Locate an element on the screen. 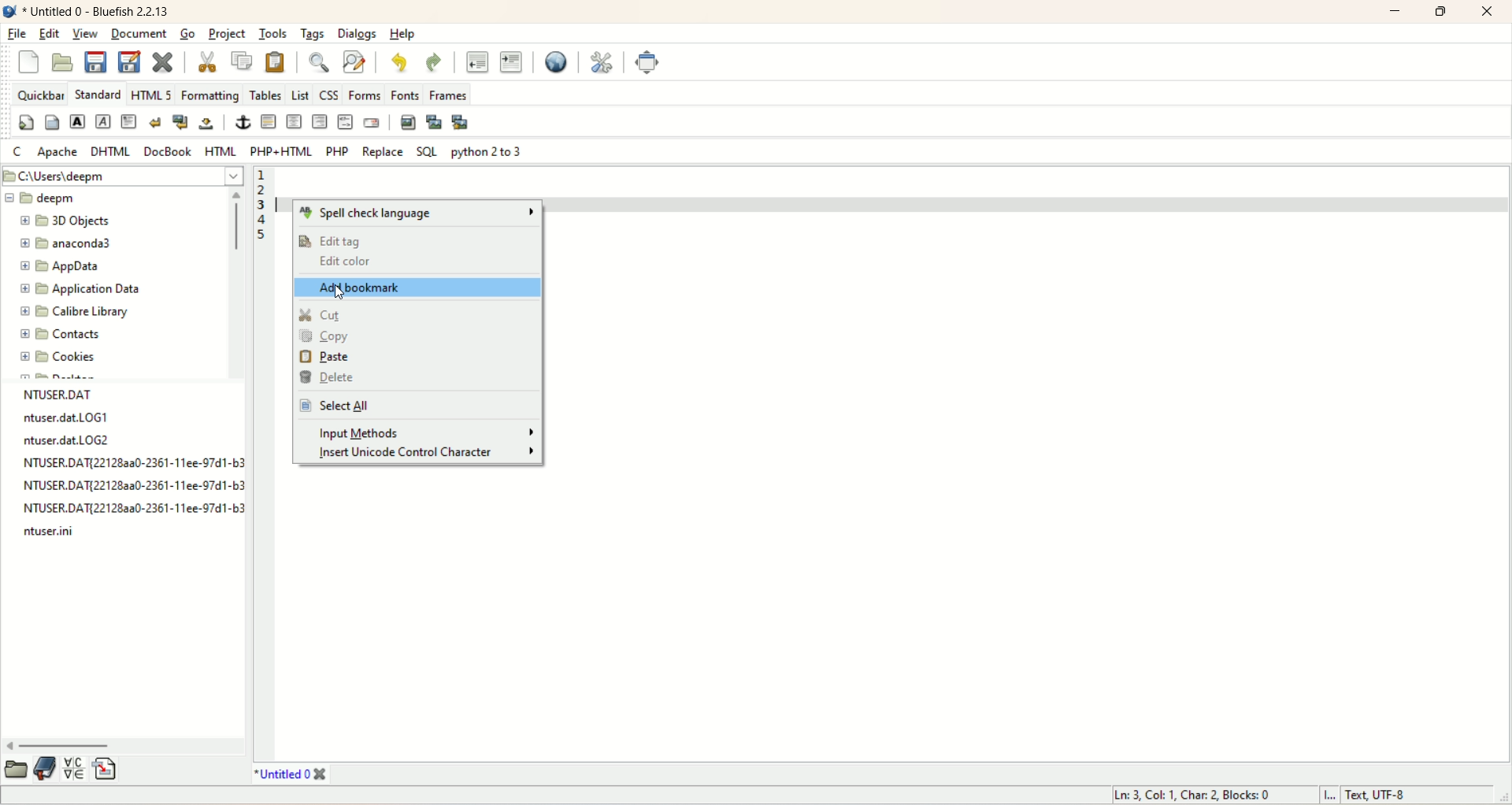 The width and height of the screenshot is (1512, 805). dialogs is located at coordinates (355, 33).